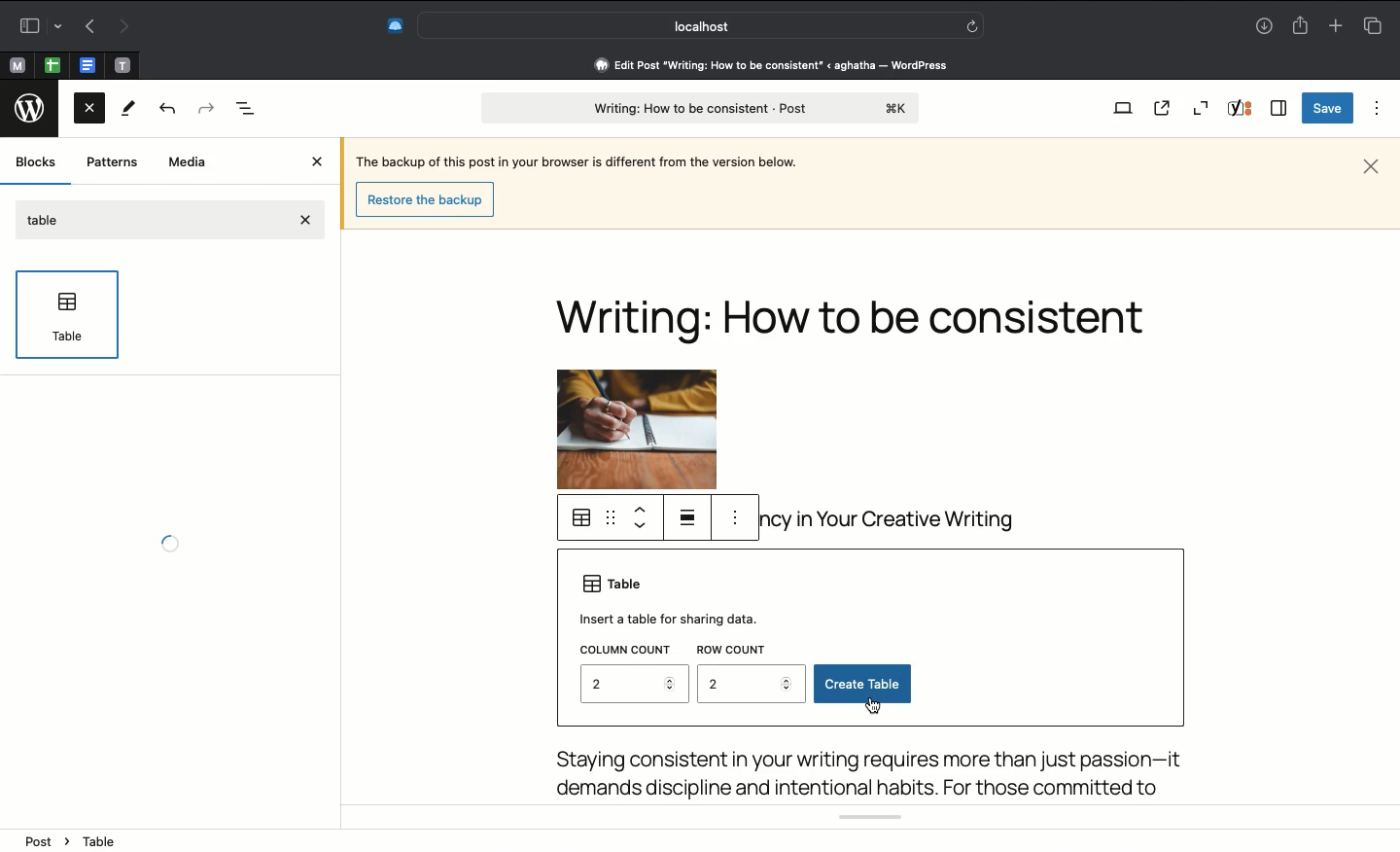  What do you see at coordinates (36, 25) in the screenshot?
I see `Sidebar` at bounding box center [36, 25].